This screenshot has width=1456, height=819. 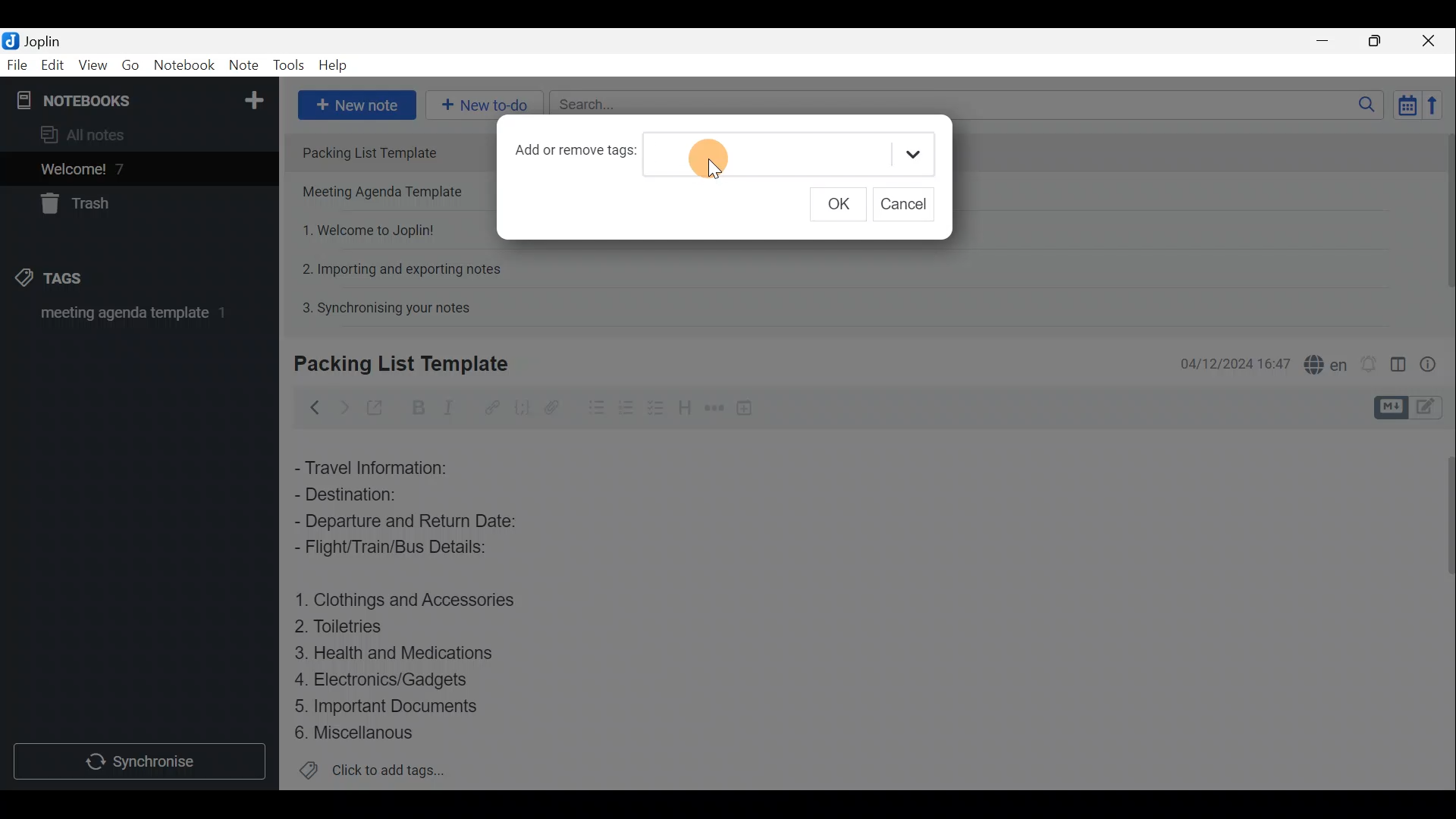 I want to click on View, so click(x=94, y=65).